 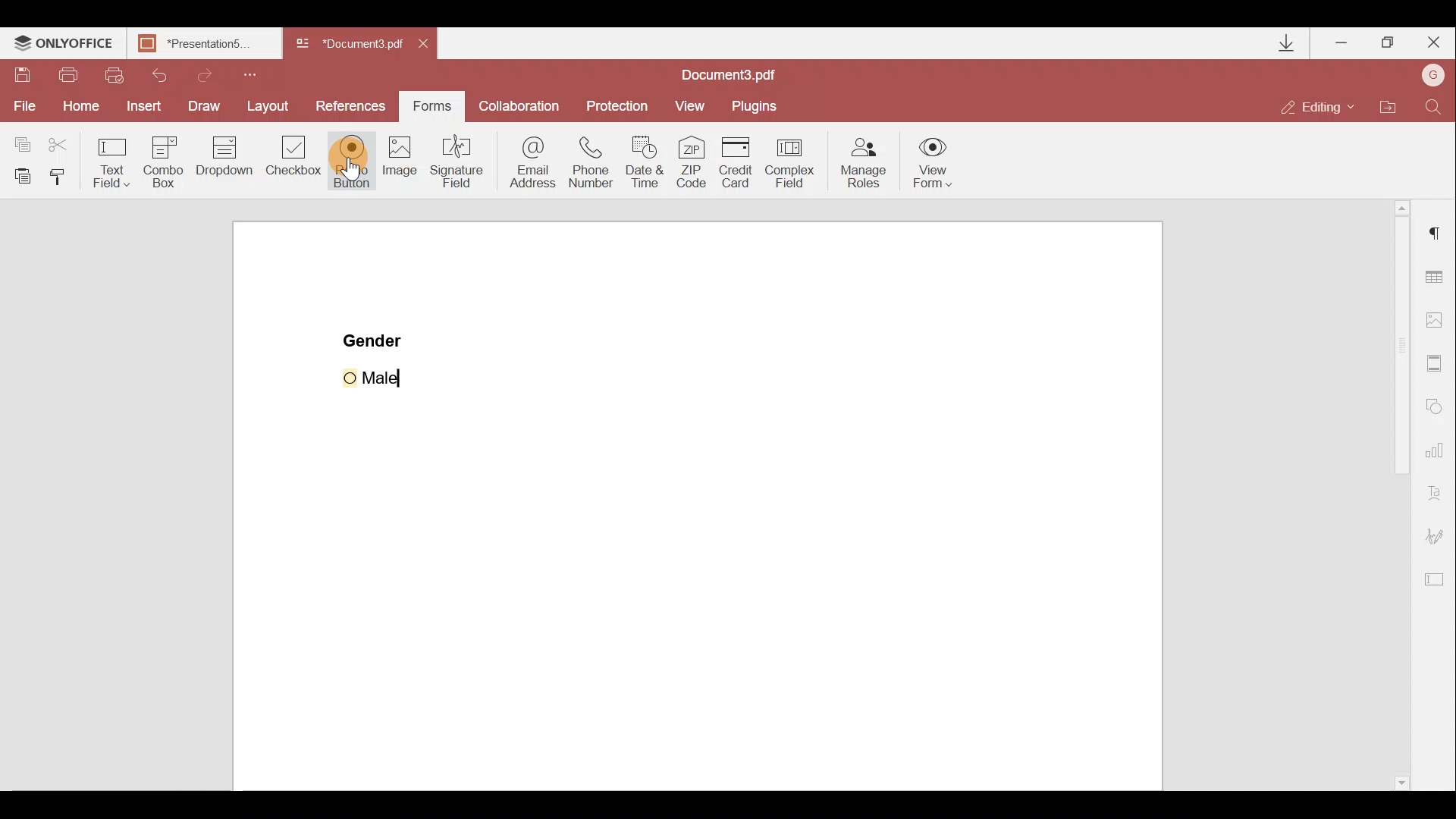 What do you see at coordinates (362, 165) in the screenshot?
I see `Cursor` at bounding box center [362, 165].